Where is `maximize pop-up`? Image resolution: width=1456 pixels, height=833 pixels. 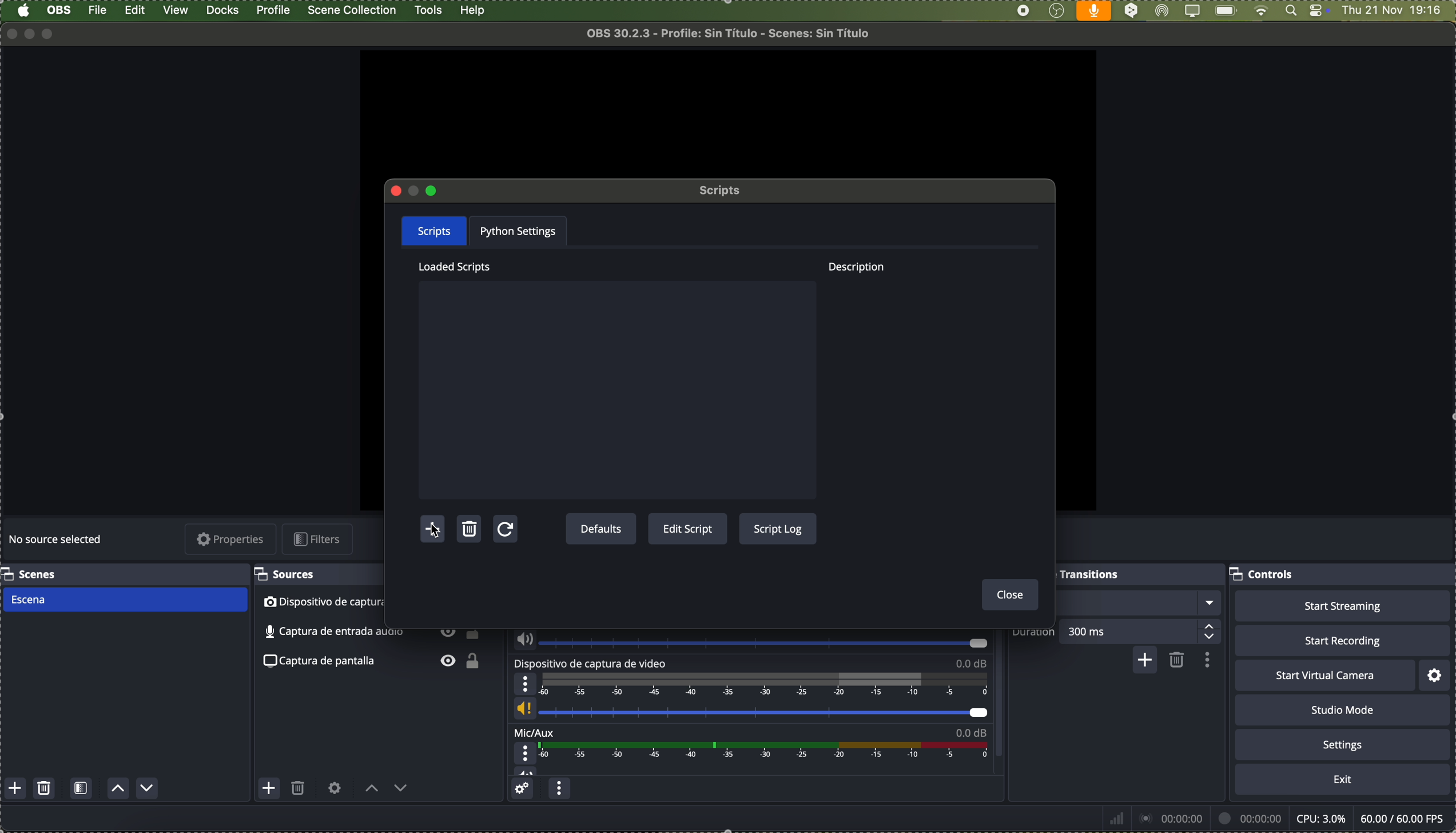
maximize pop-up is located at coordinates (431, 190).